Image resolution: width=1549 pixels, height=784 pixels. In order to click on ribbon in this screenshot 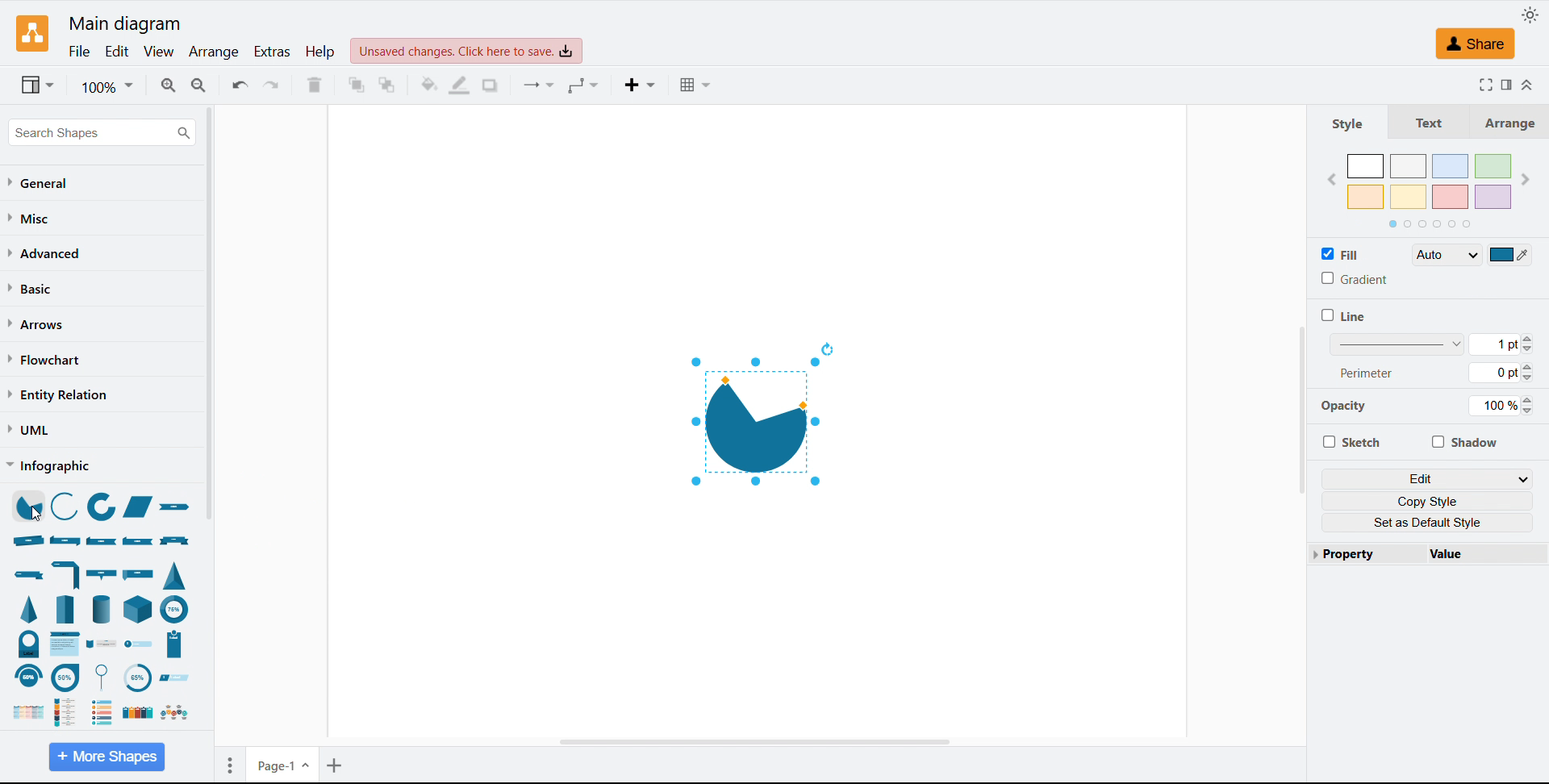, I will do `click(178, 507)`.